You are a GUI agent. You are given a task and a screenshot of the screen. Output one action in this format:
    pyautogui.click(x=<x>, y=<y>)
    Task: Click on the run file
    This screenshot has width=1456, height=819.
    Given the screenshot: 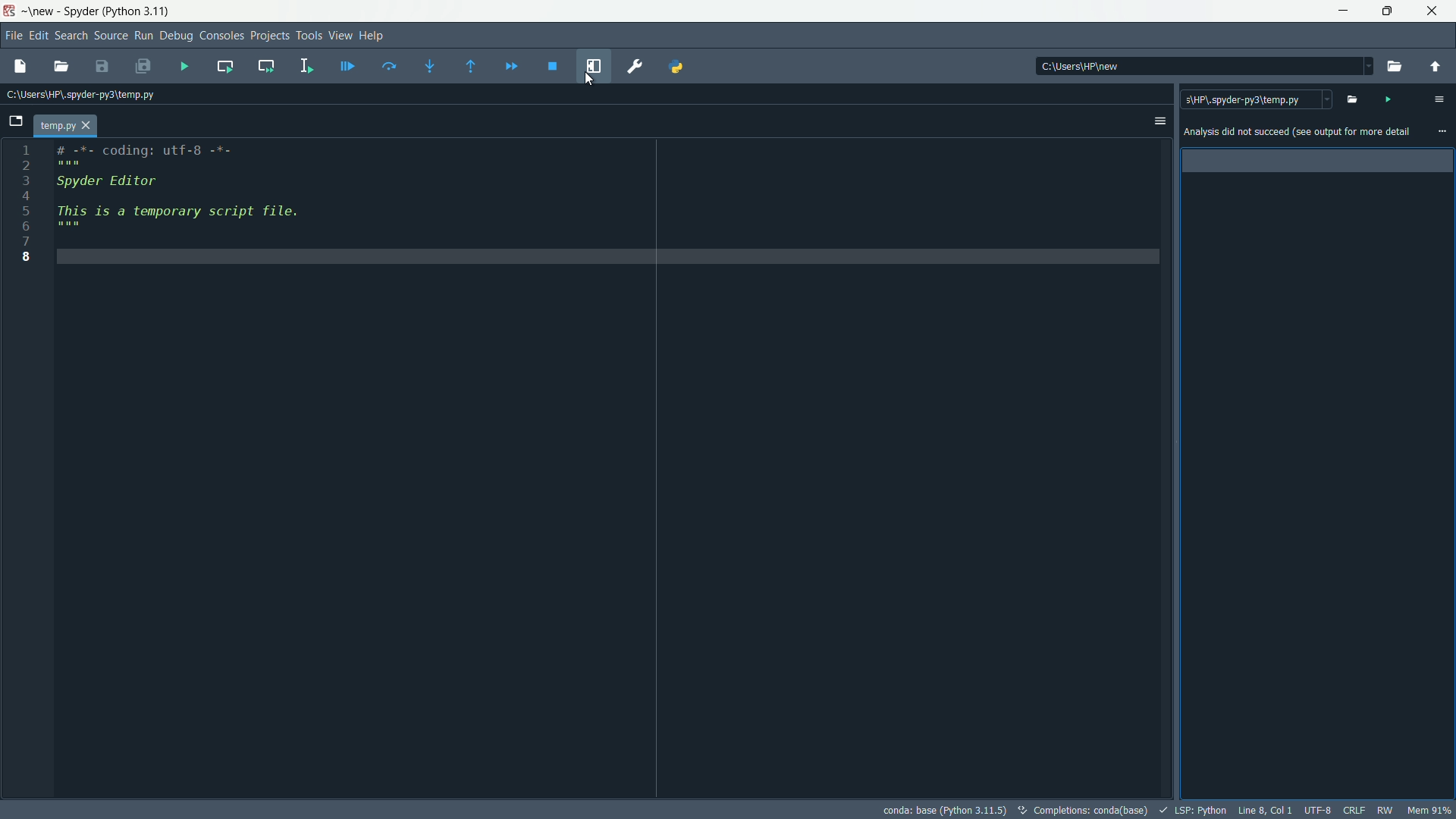 What is the action you would take?
    pyautogui.click(x=1389, y=99)
    